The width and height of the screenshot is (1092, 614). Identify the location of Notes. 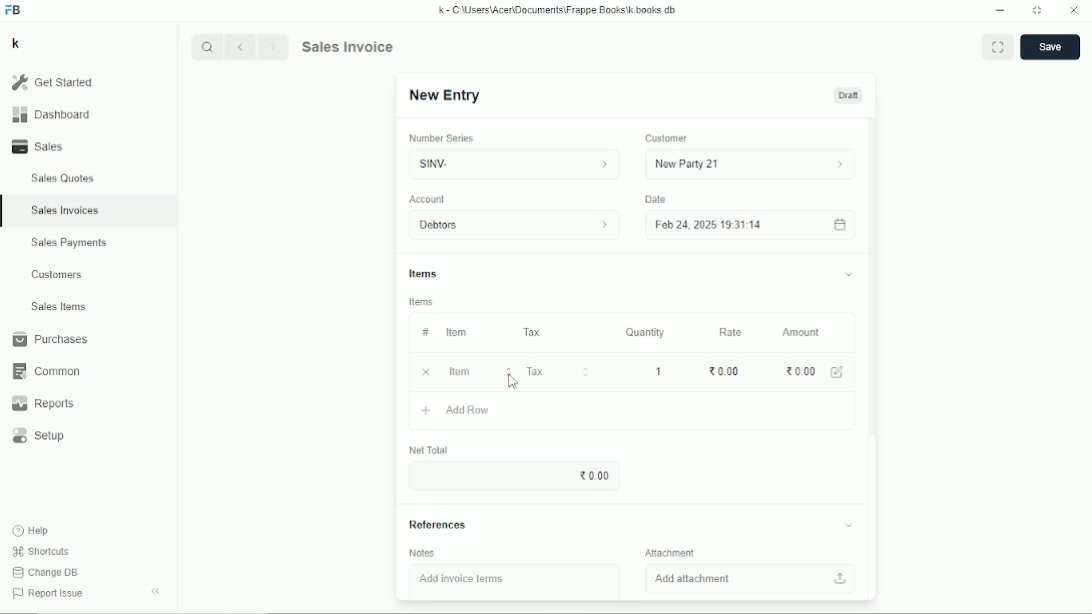
(423, 553).